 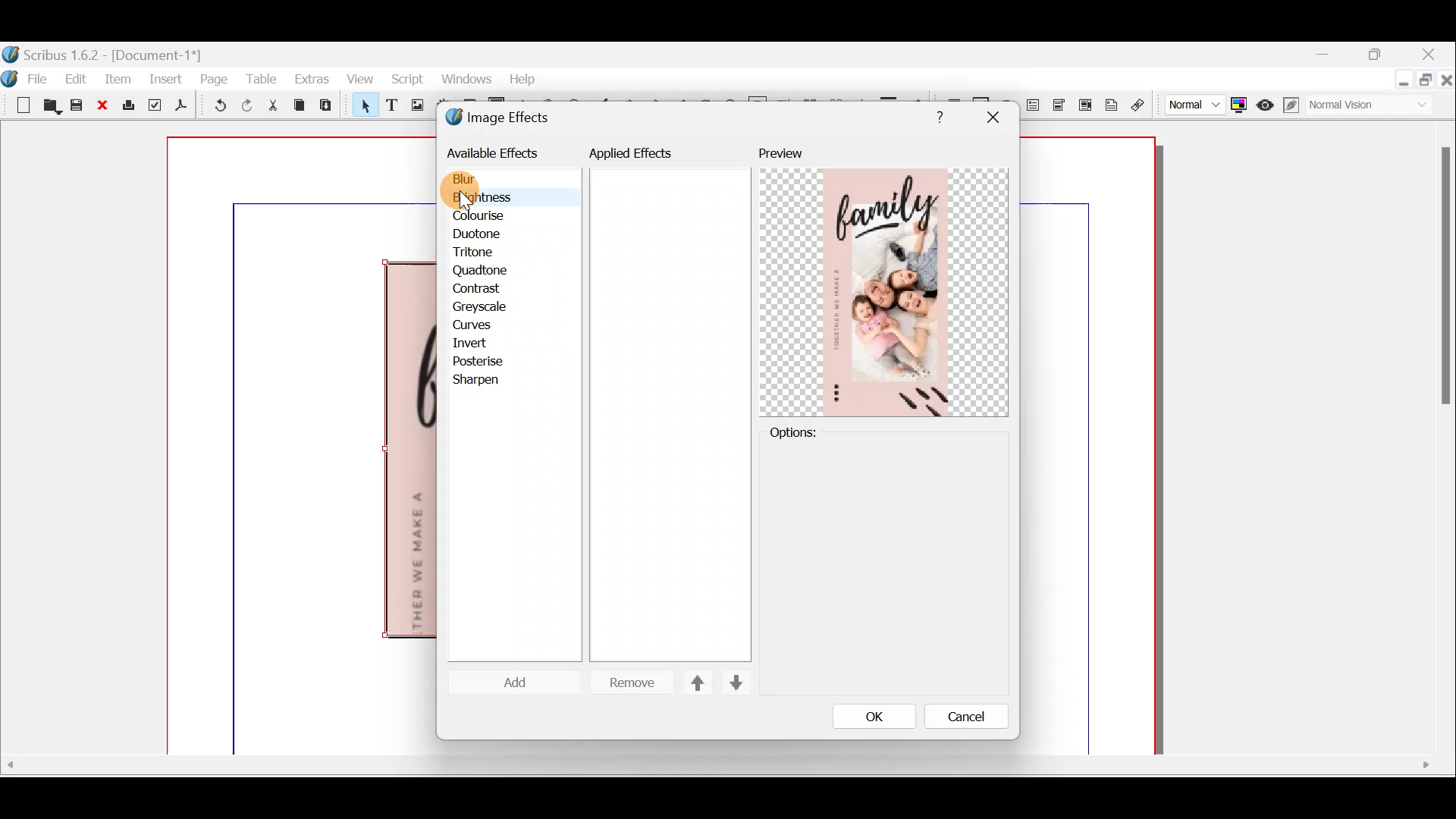 What do you see at coordinates (1191, 102) in the screenshot?
I see `Select image preview quality` at bounding box center [1191, 102].